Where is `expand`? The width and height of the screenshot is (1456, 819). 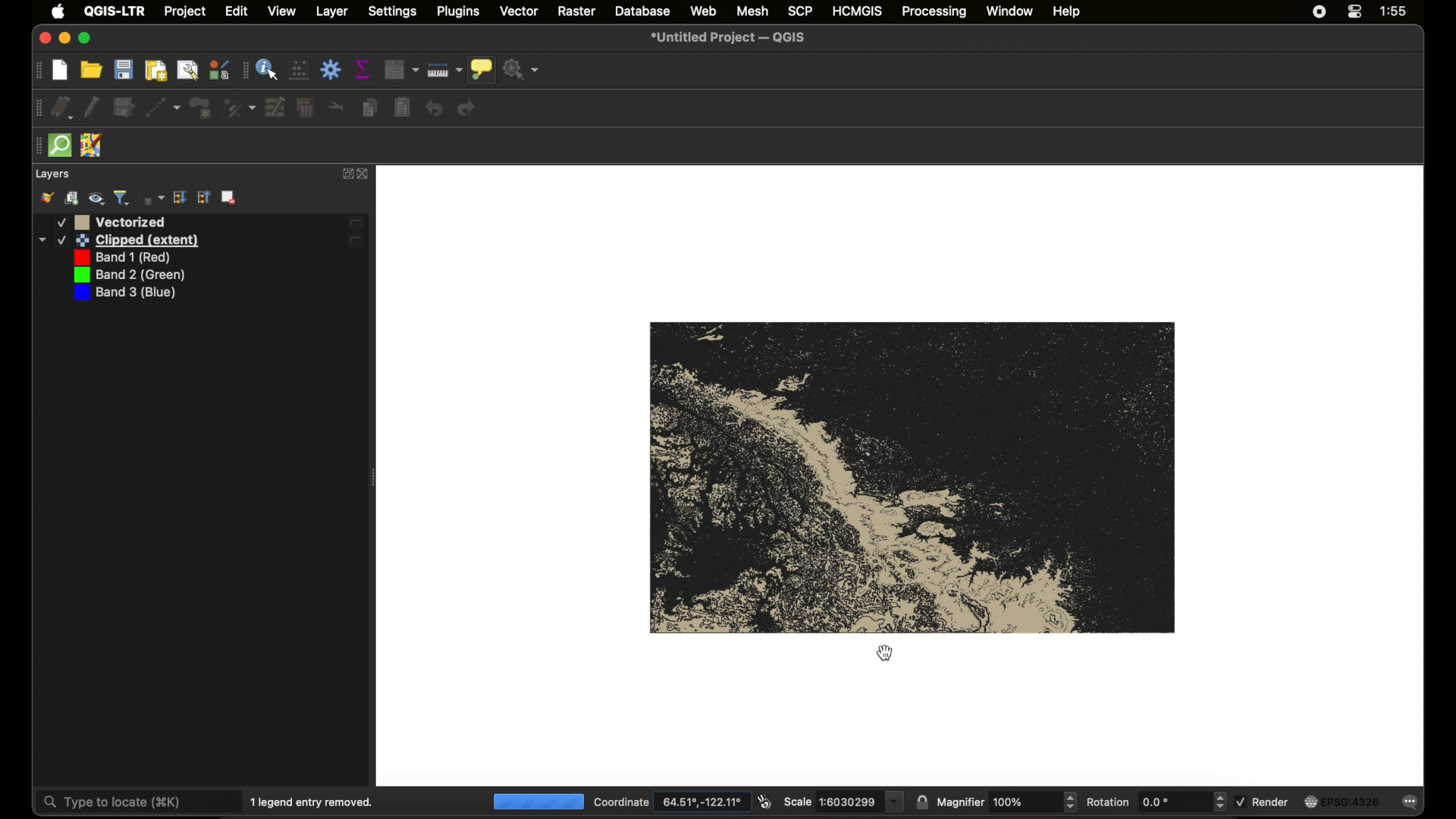
expand is located at coordinates (346, 174).